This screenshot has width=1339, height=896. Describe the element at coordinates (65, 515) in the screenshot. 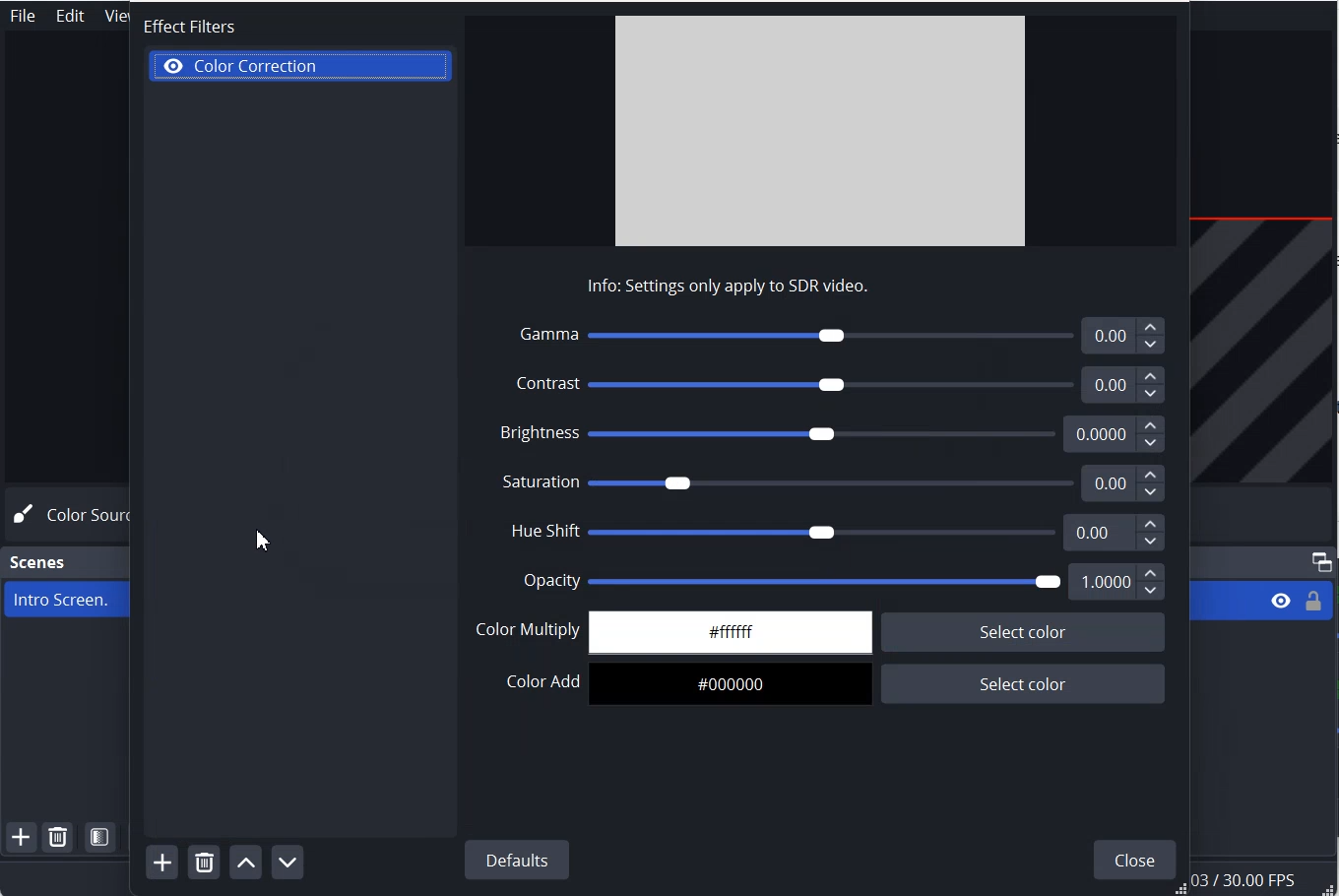

I see `Color Source` at that location.